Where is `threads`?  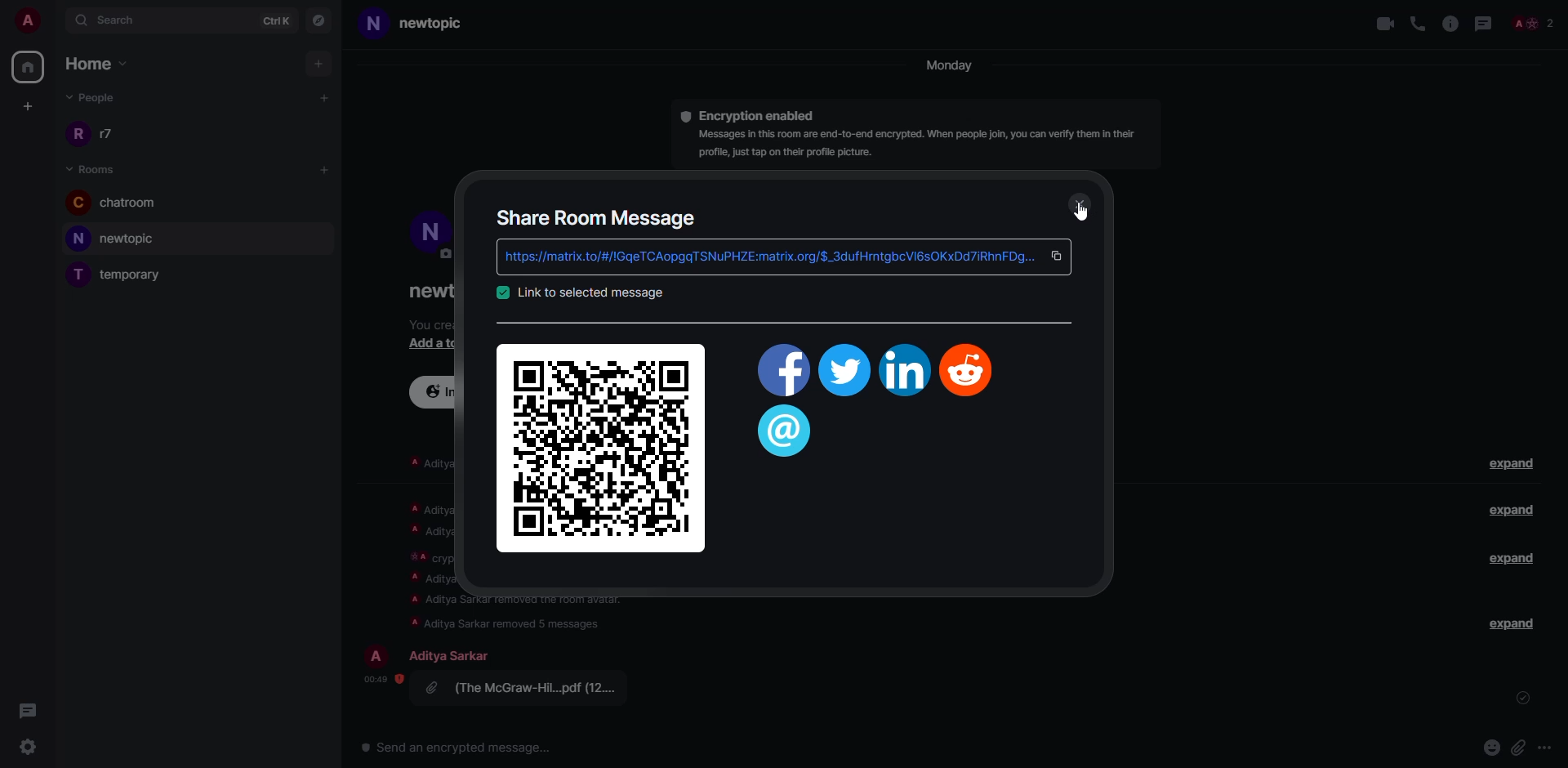
threads is located at coordinates (1481, 23).